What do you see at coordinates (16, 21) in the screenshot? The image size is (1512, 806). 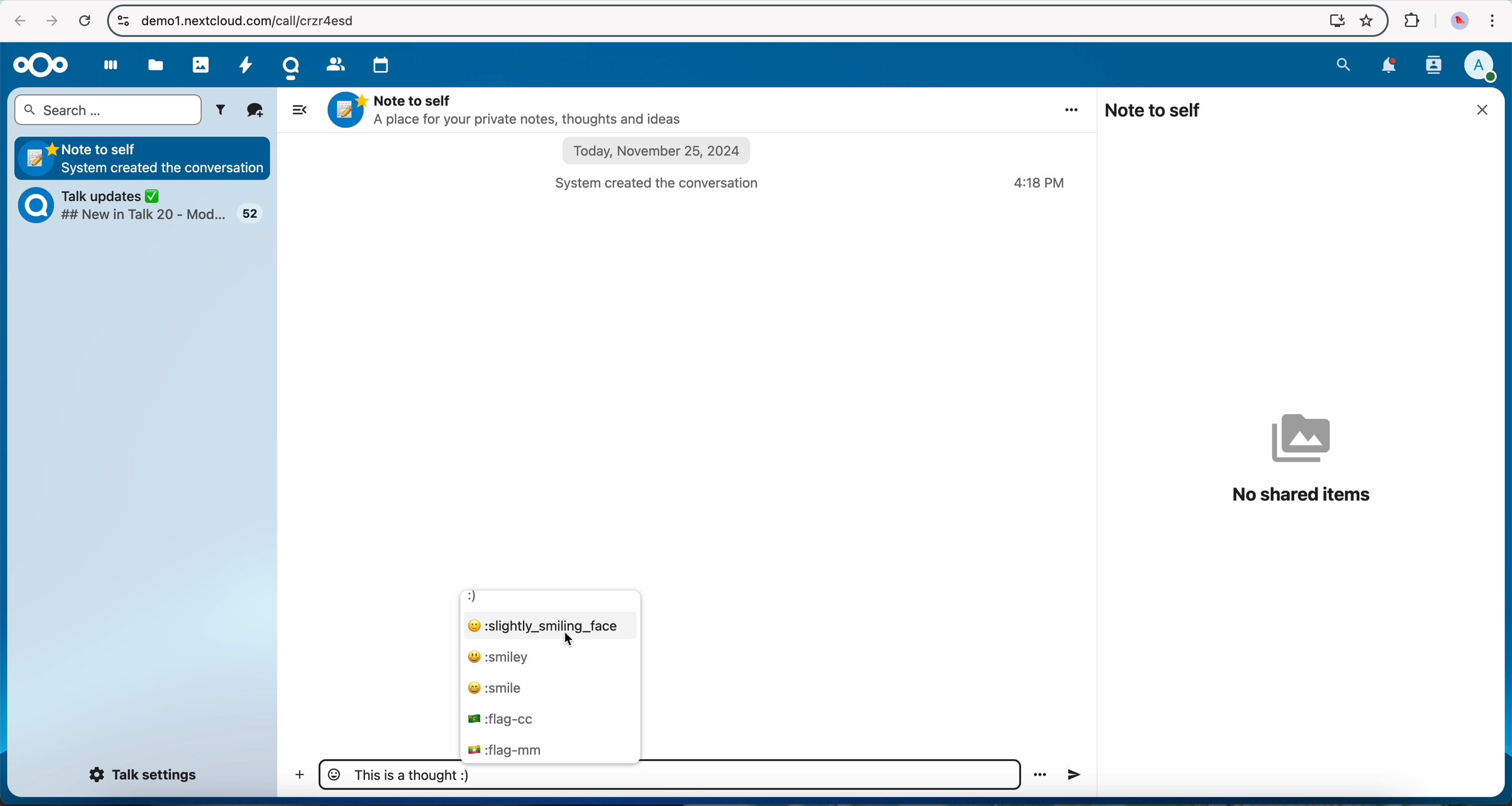 I see `navigate back` at bounding box center [16, 21].